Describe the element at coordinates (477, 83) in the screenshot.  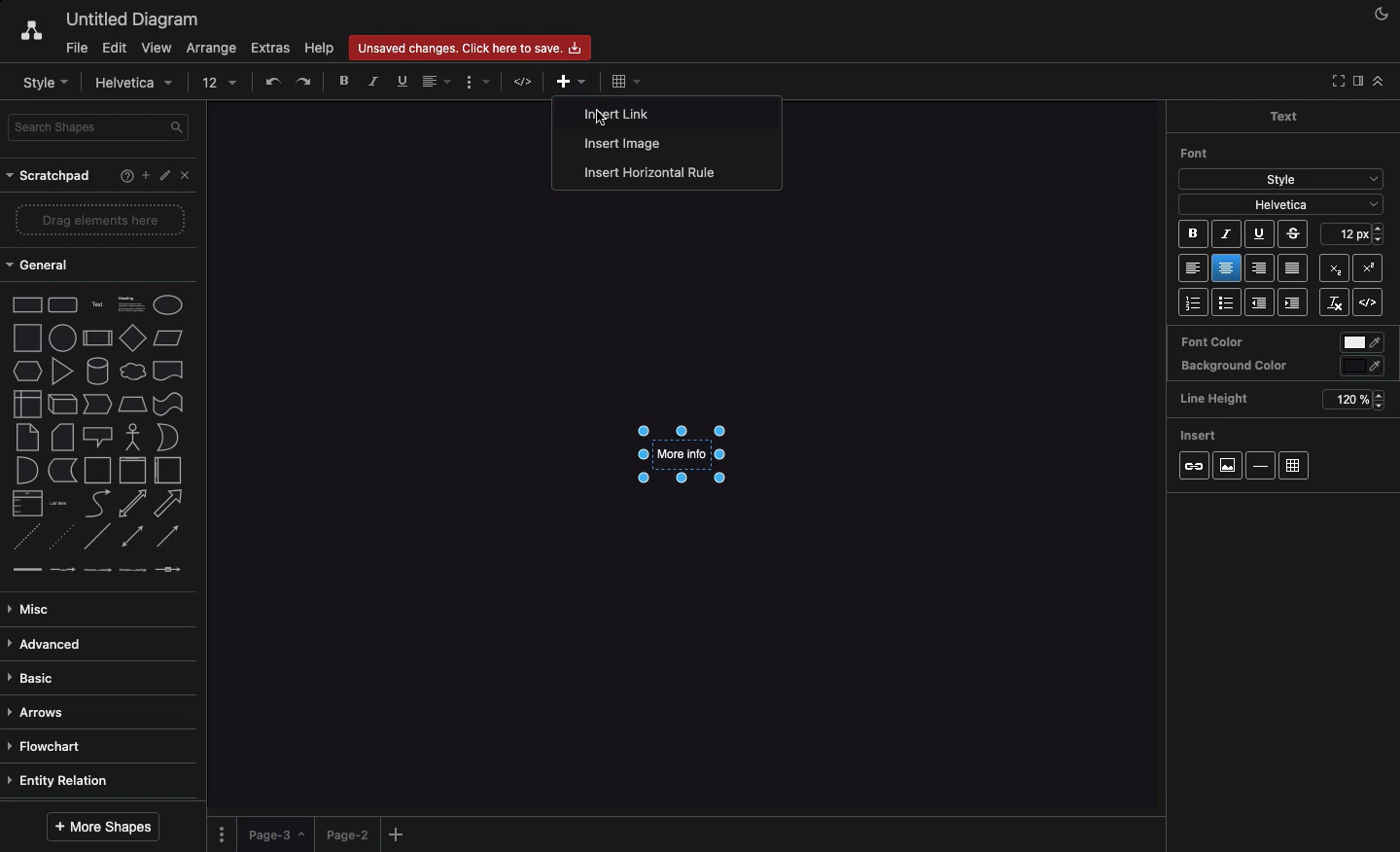
I see `Format` at that location.